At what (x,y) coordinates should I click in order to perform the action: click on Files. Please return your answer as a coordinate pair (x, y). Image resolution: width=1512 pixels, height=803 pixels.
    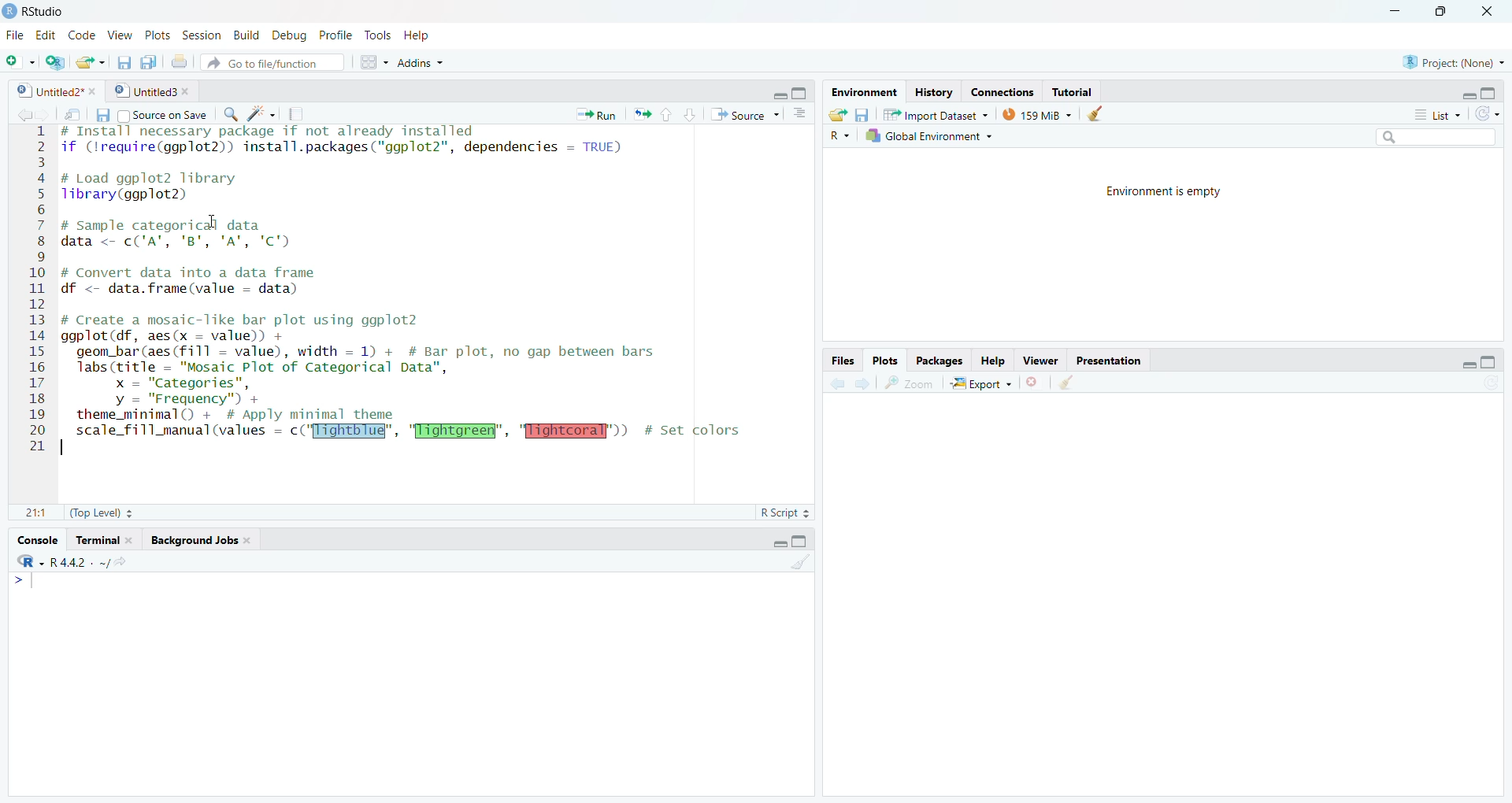
    Looking at the image, I should click on (843, 362).